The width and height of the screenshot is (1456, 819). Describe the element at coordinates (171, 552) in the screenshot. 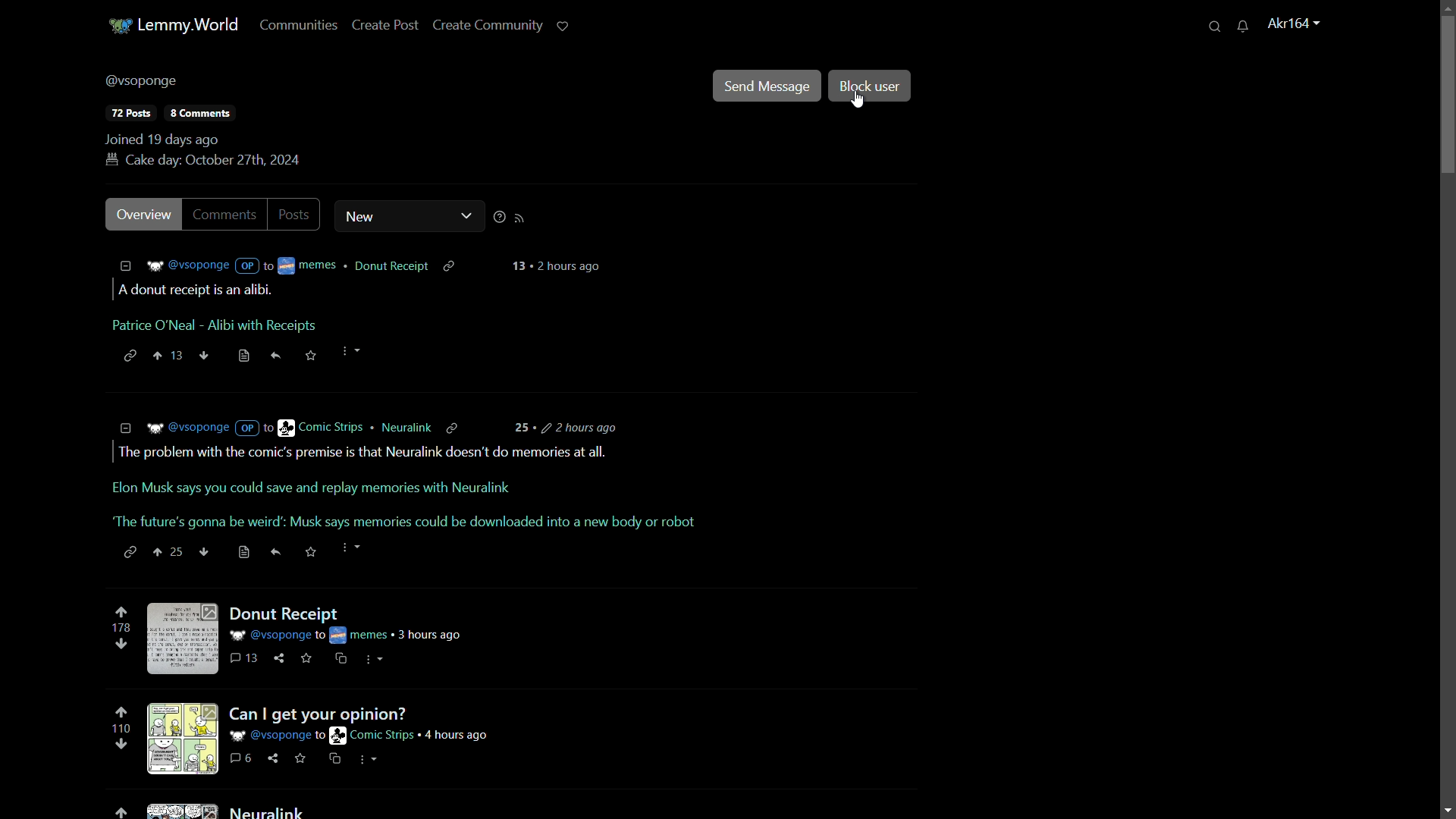

I see `up` at that location.